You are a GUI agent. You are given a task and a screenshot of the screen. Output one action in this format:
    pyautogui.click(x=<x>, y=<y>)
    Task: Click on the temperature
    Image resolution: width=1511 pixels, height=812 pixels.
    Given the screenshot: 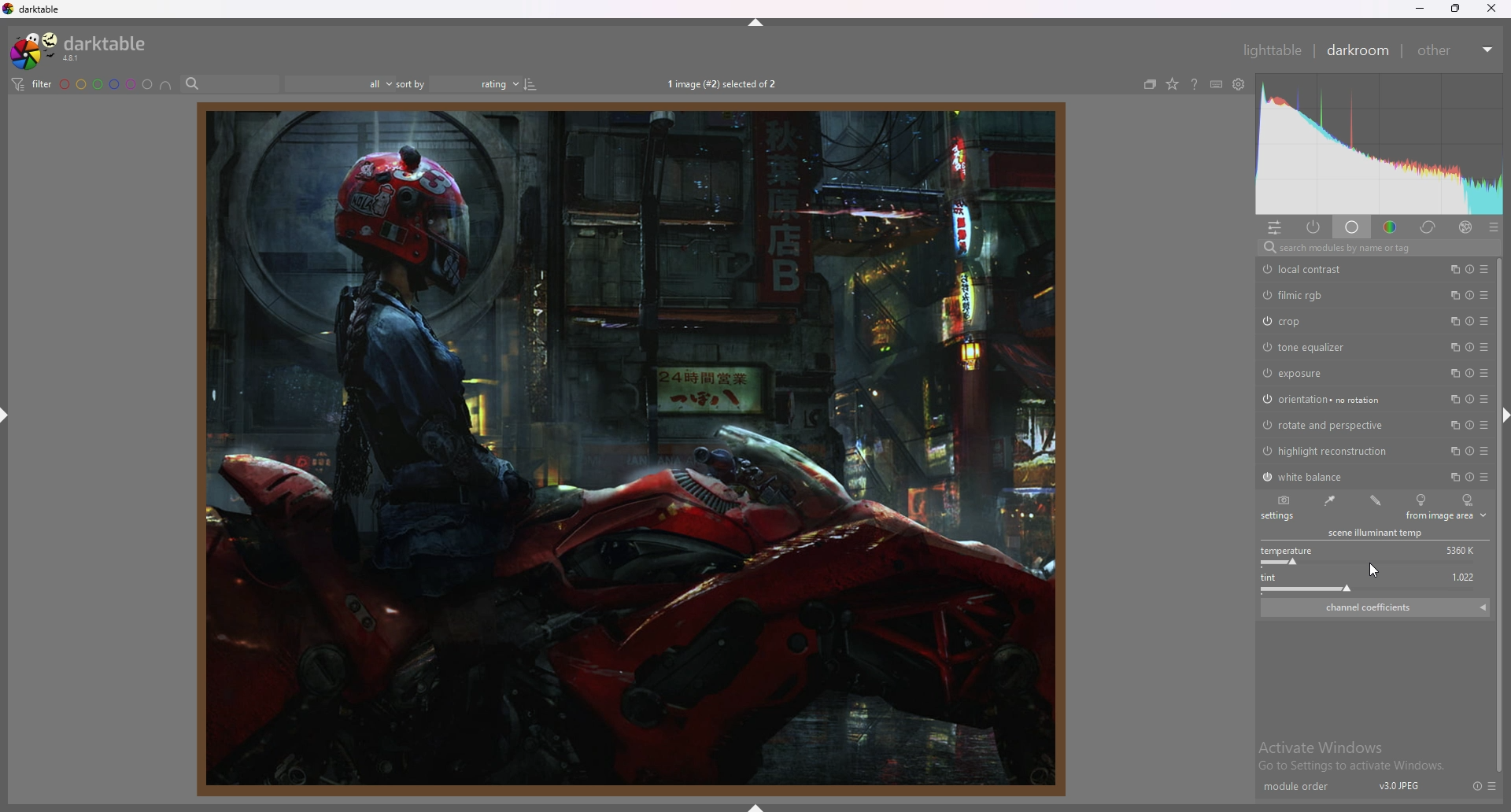 What is the action you would take?
    pyautogui.click(x=1287, y=552)
    